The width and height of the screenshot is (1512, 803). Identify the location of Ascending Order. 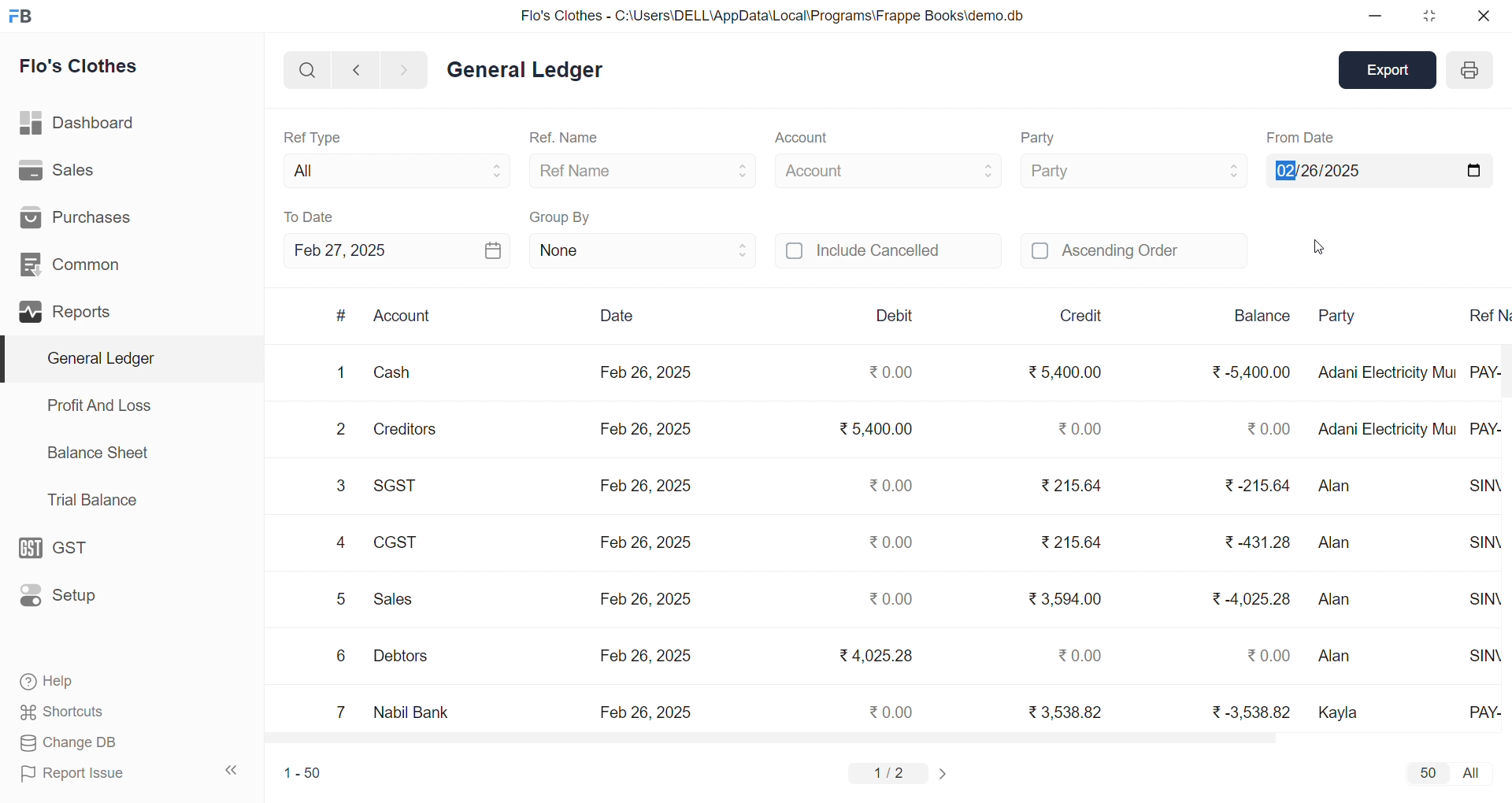
(1134, 249).